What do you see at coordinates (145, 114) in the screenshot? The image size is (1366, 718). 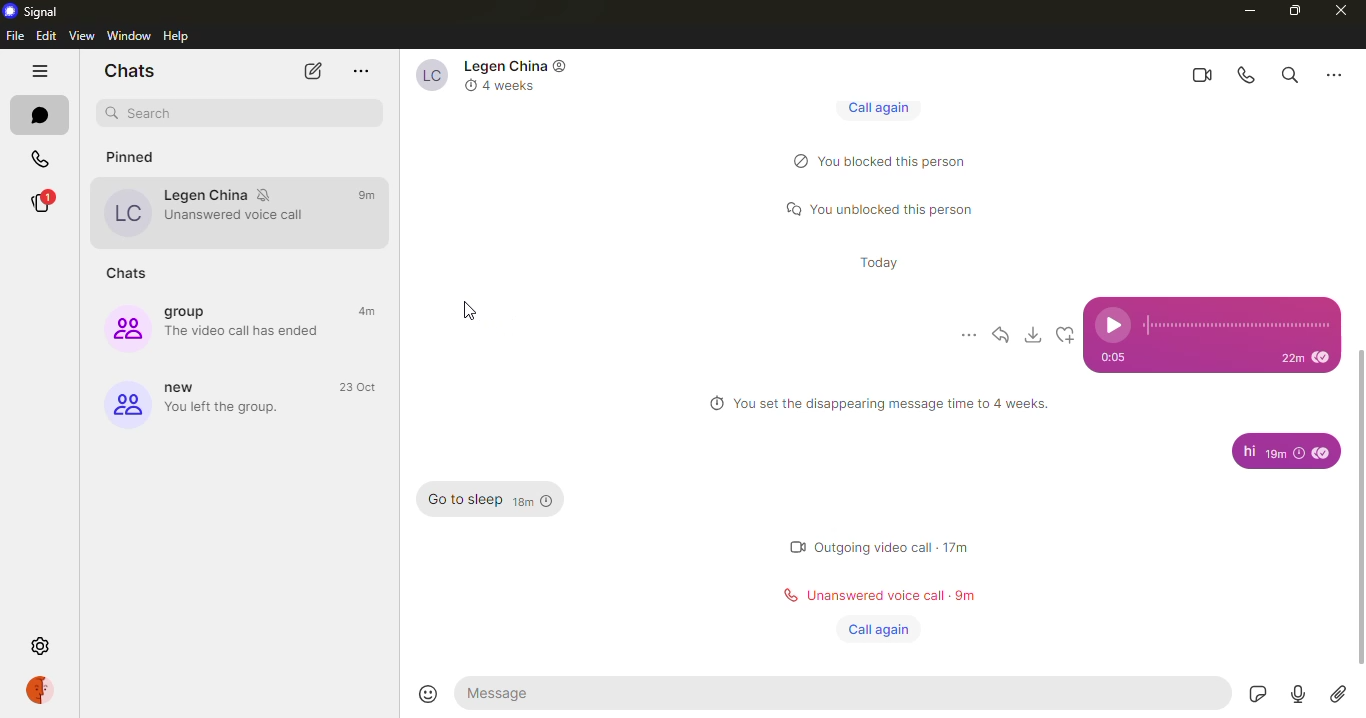 I see `search` at bounding box center [145, 114].